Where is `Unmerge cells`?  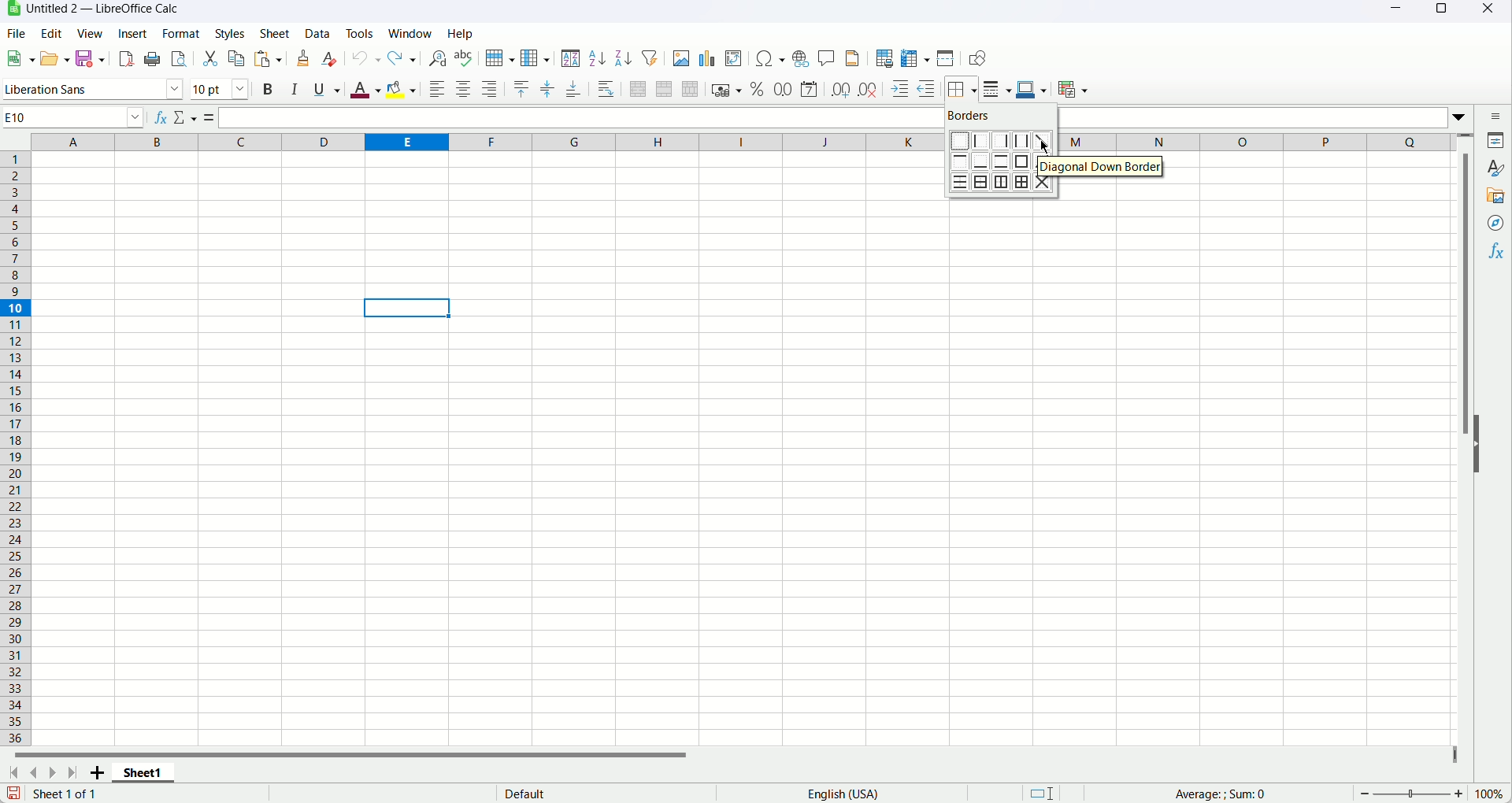
Unmerge cells is located at coordinates (691, 89).